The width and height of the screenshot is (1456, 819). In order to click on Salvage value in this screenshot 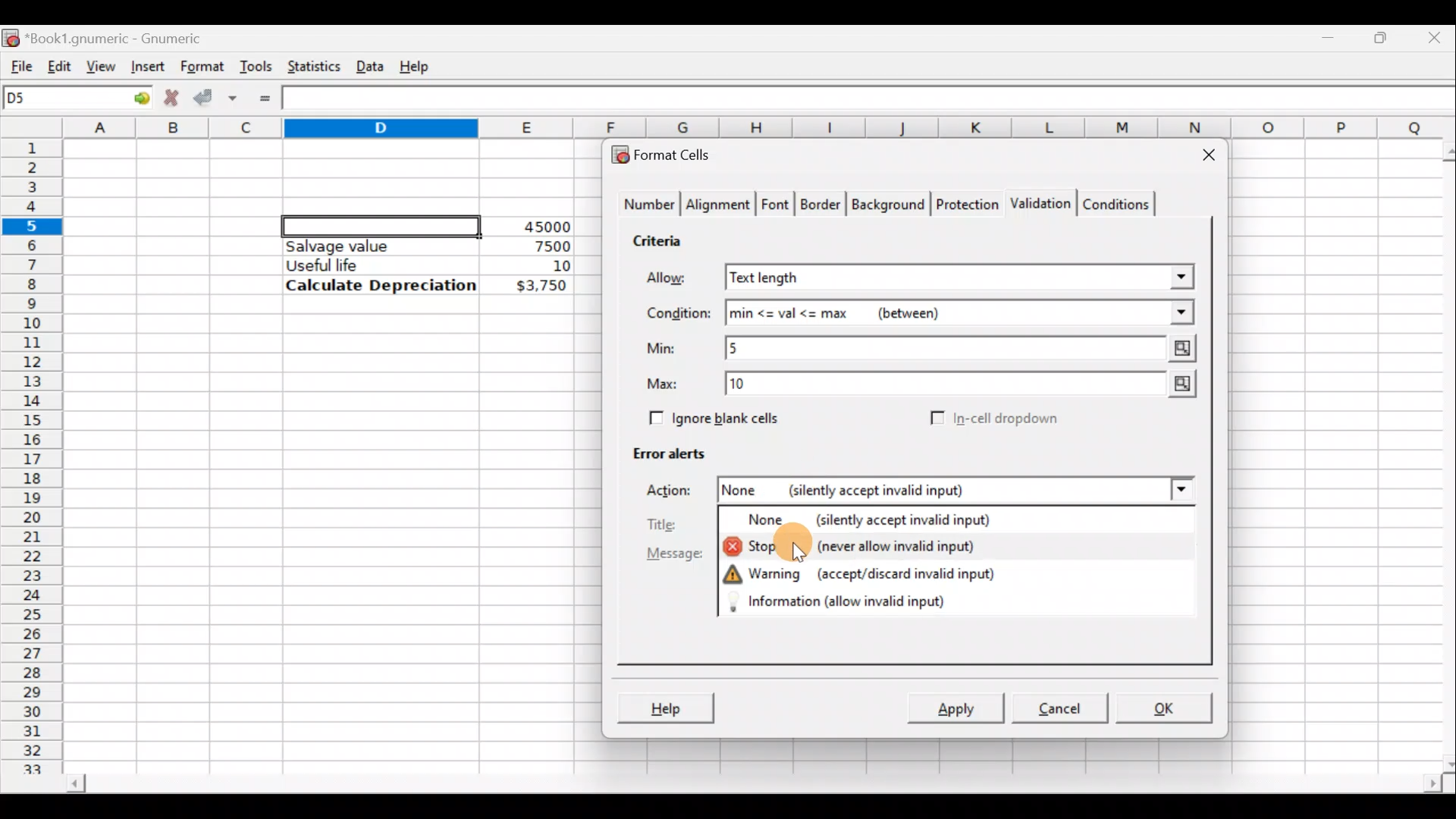, I will do `click(367, 246)`.